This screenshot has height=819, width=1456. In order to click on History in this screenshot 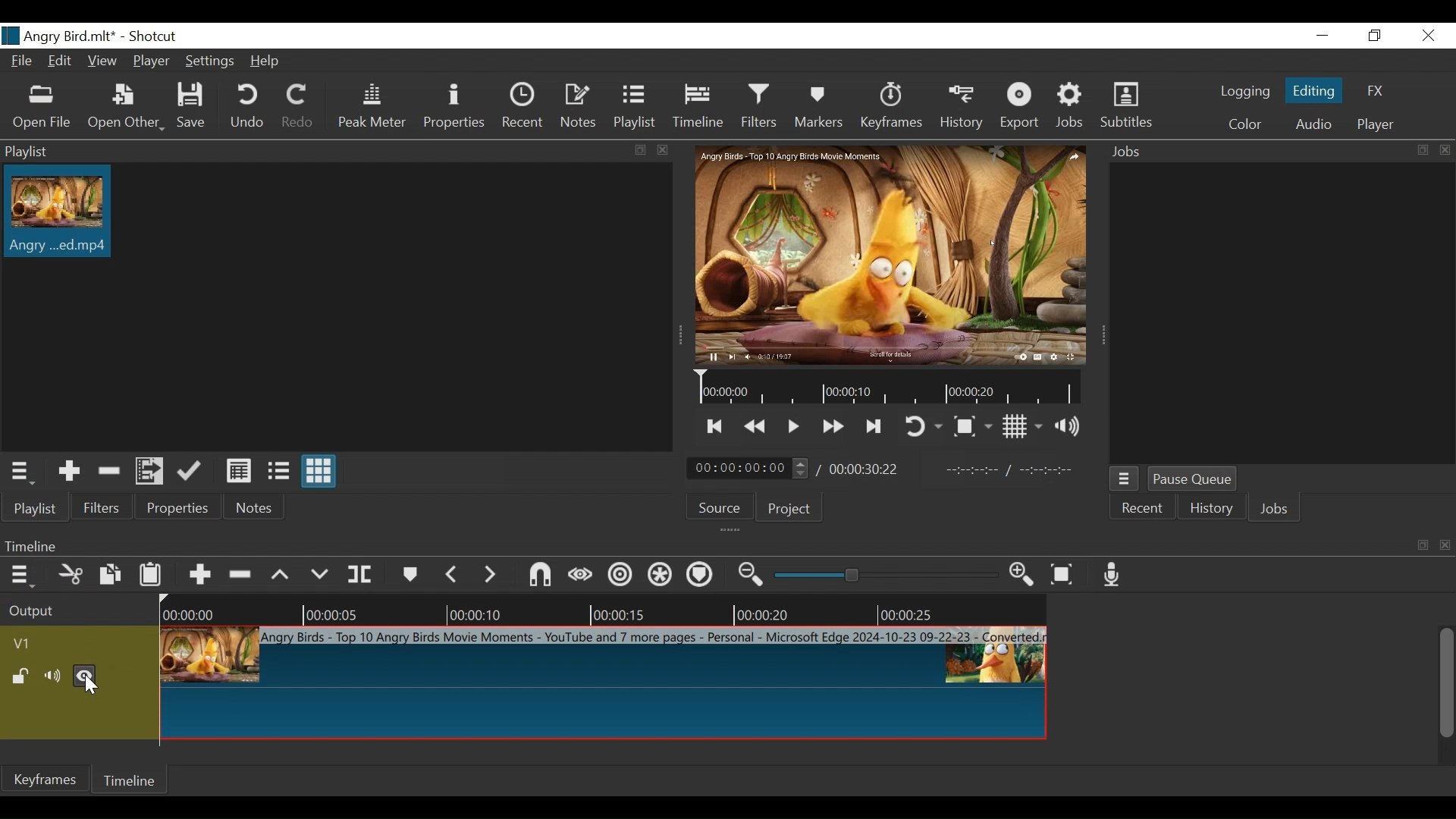, I will do `click(961, 107)`.